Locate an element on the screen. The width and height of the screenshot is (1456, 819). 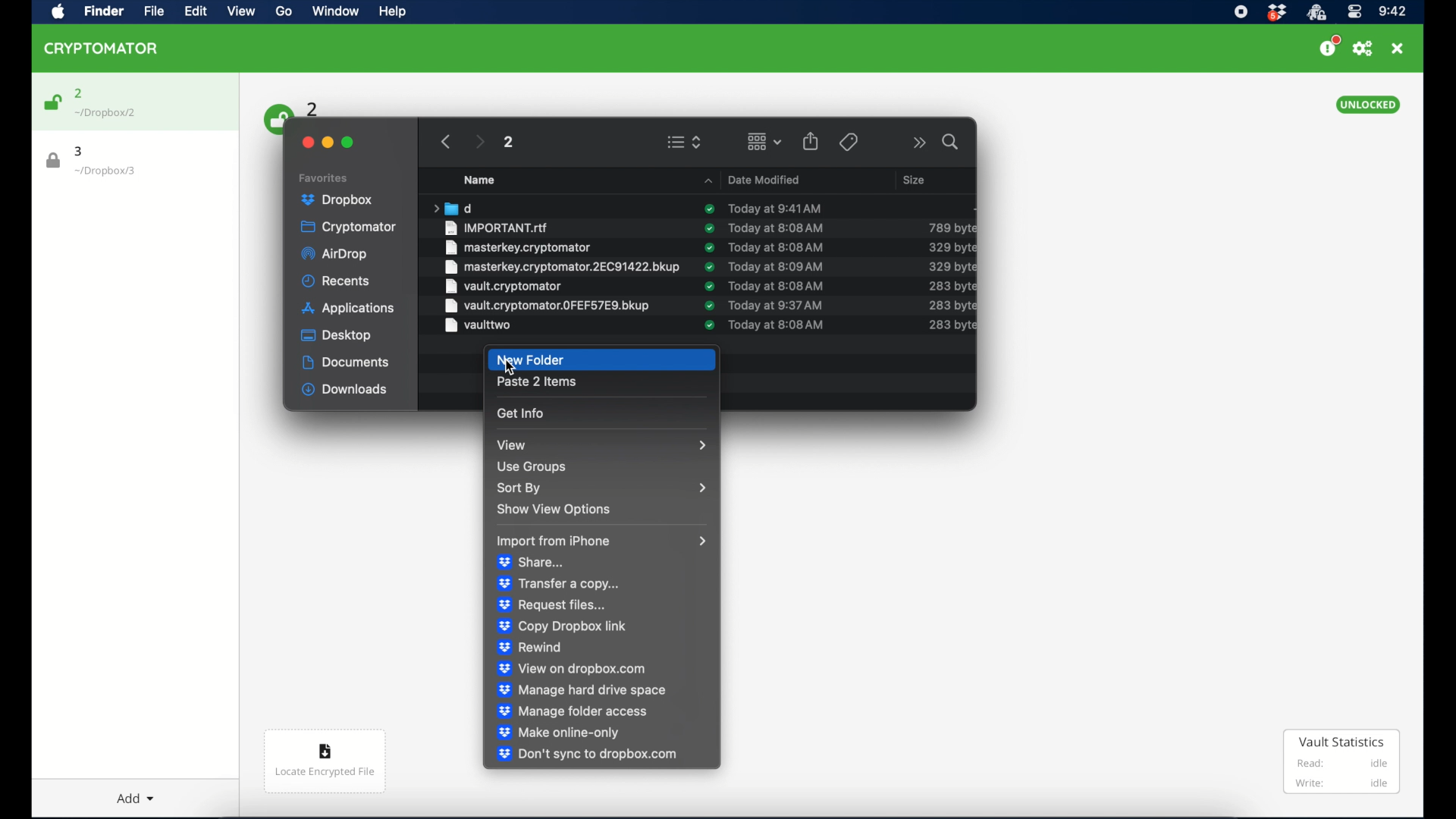
control  center is located at coordinates (1354, 12).